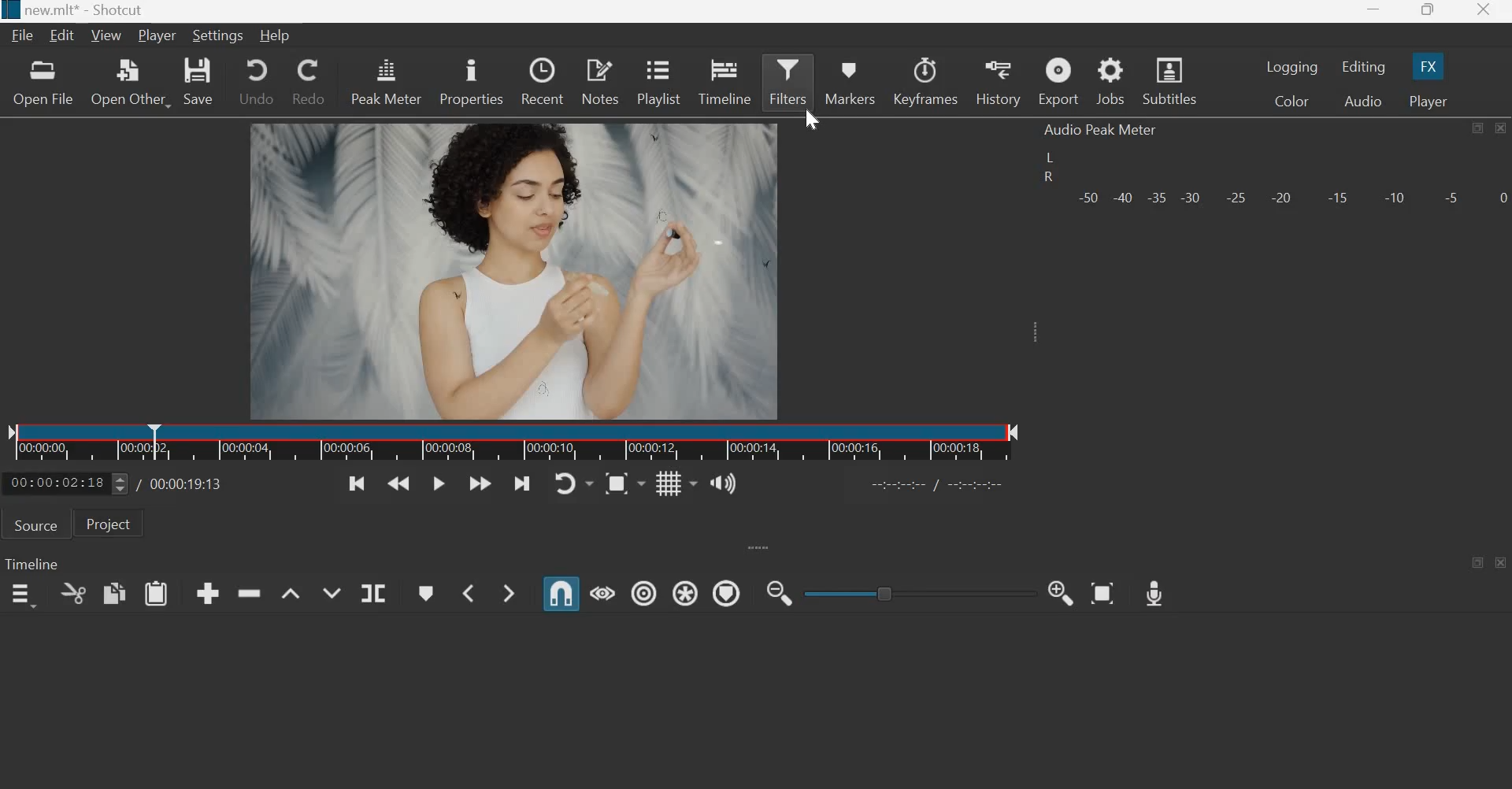 This screenshot has height=789, width=1512. Describe the element at coordinates (573, 484) in the screenshot. I see `Toggle player looping` at that location.